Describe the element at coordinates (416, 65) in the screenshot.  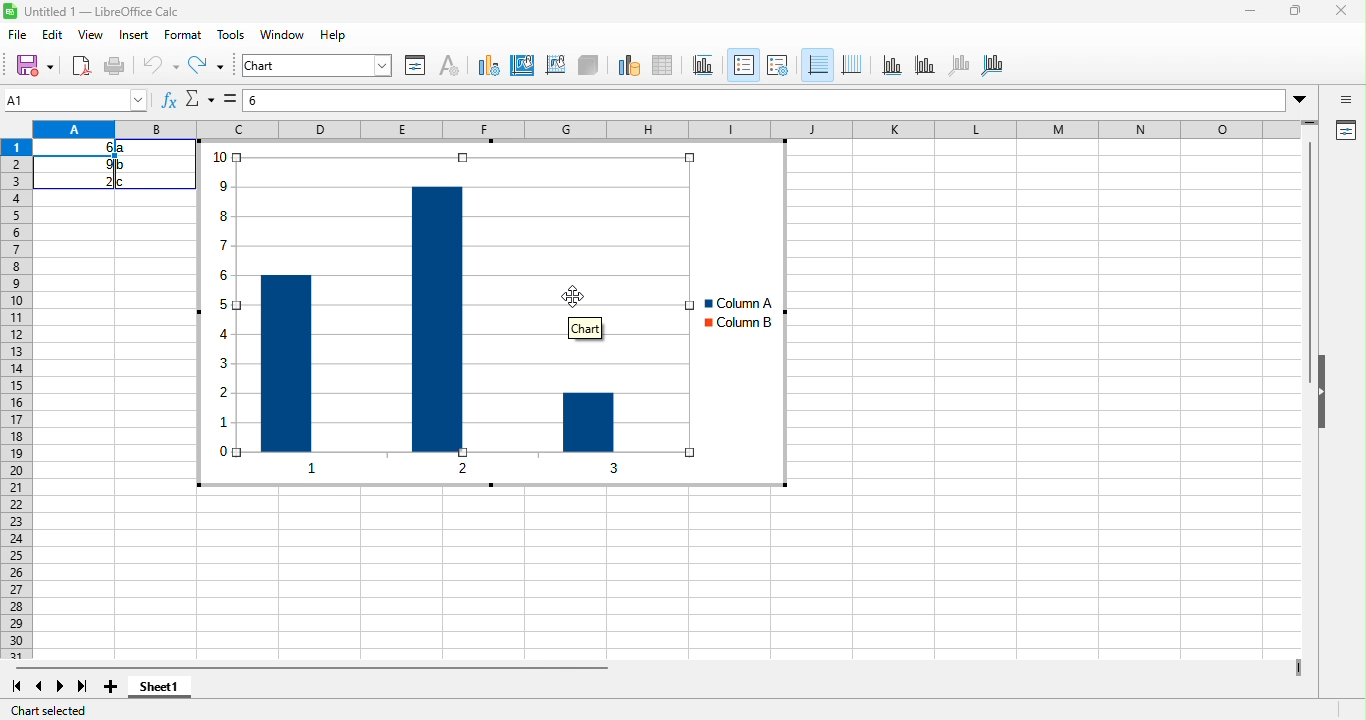
I see `properties` at that location.